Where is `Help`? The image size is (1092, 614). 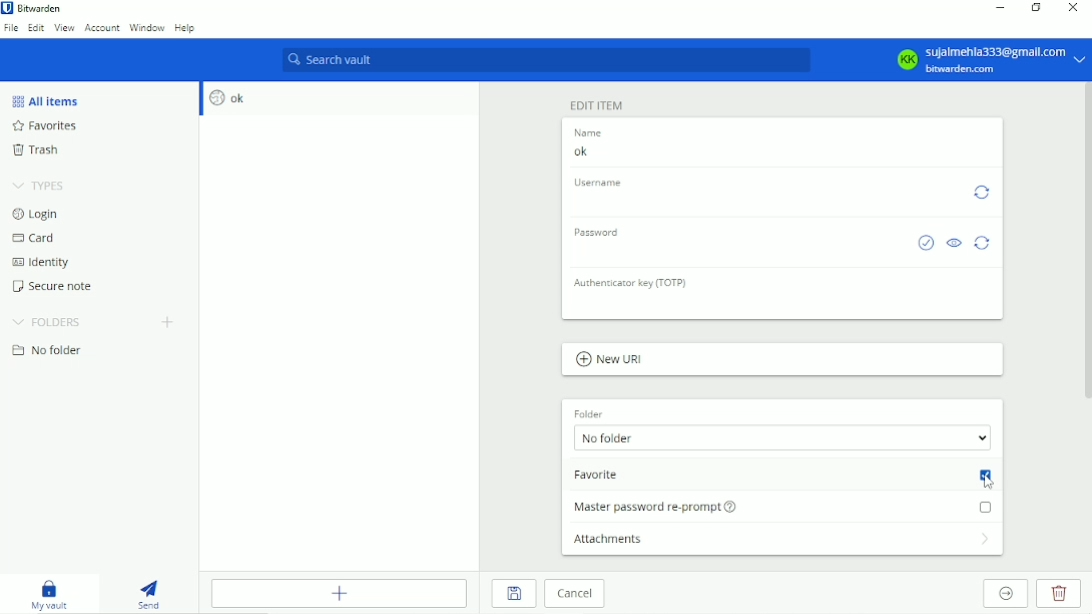 Help is located at coordinates (189, 29).